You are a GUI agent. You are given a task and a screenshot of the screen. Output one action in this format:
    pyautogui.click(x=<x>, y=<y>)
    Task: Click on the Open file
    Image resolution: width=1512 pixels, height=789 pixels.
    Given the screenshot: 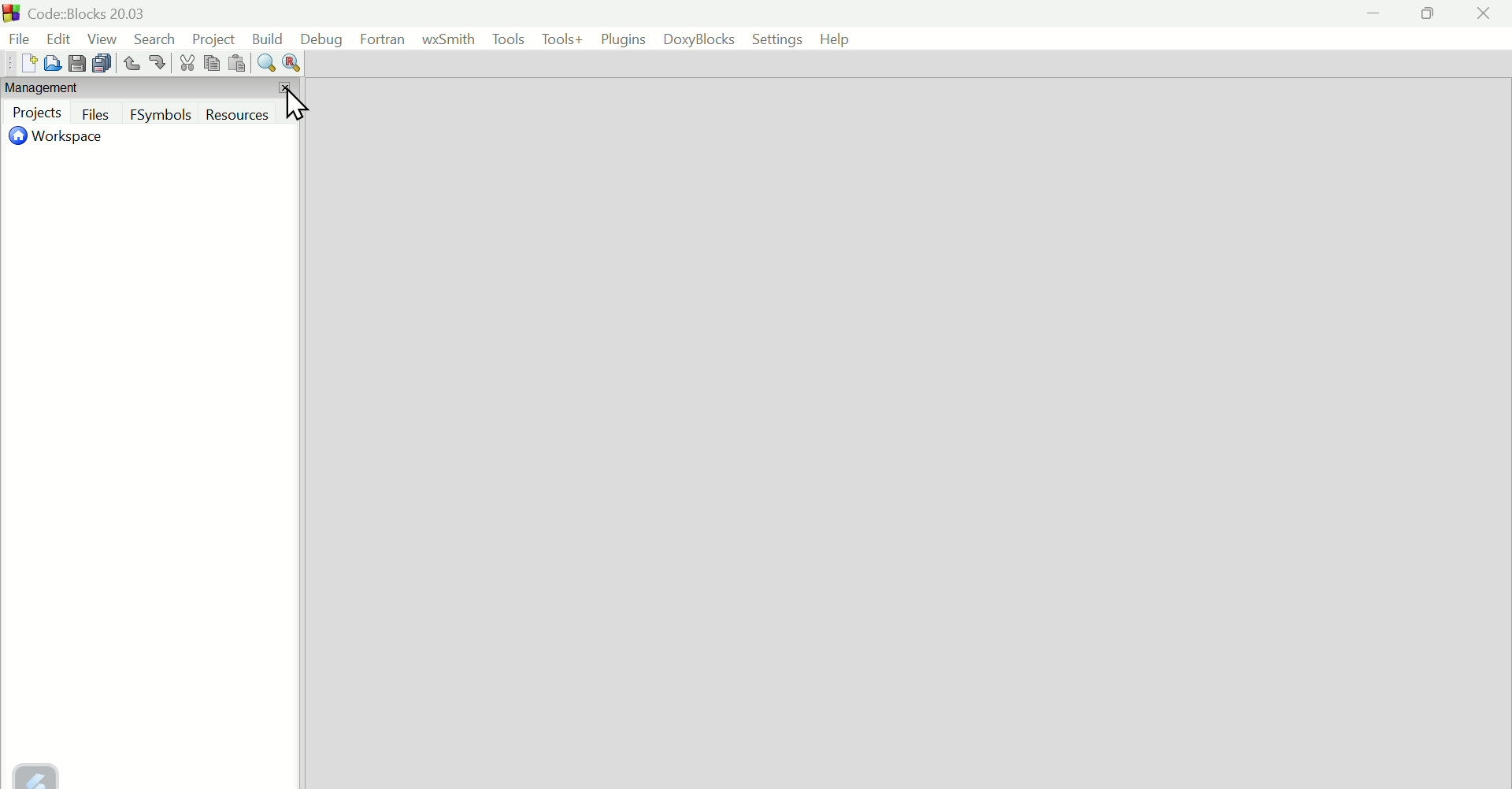 What is the action you would take?
    pyautogui.click(x=53, y=63)
    